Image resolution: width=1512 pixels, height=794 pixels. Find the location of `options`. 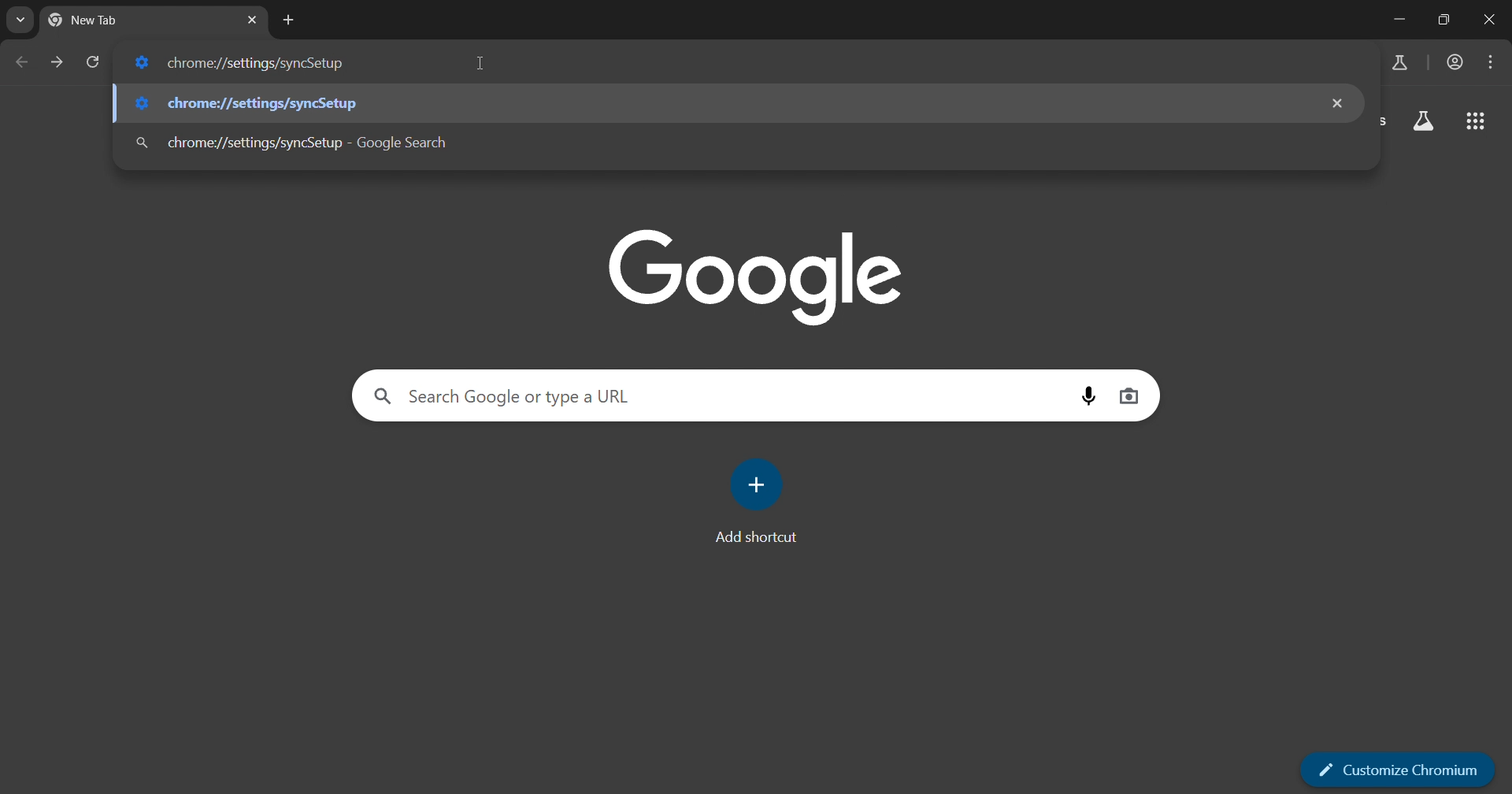

options is located at coordinates (1489, 61).